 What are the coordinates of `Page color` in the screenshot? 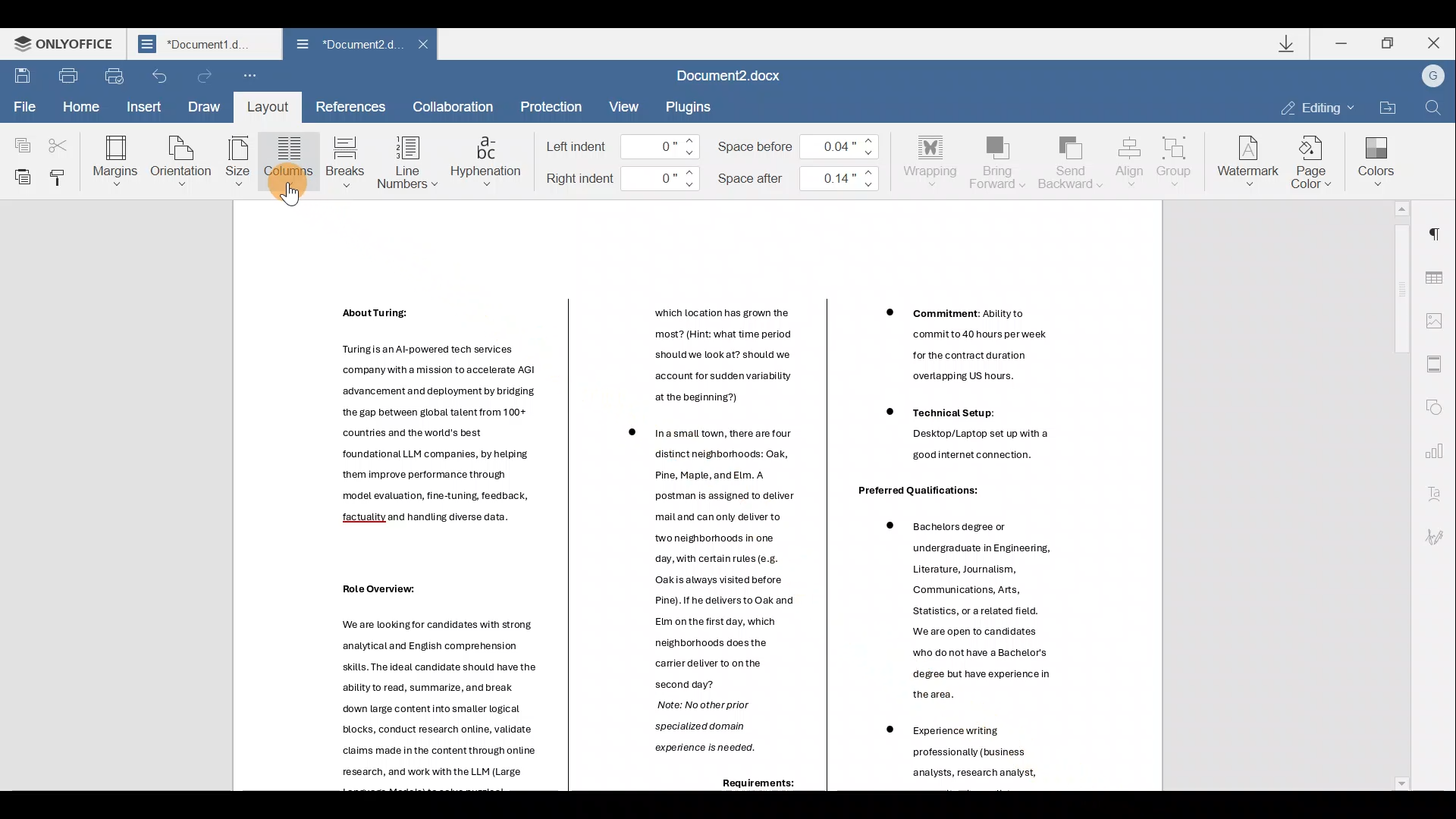 It's located at (1315, 159).